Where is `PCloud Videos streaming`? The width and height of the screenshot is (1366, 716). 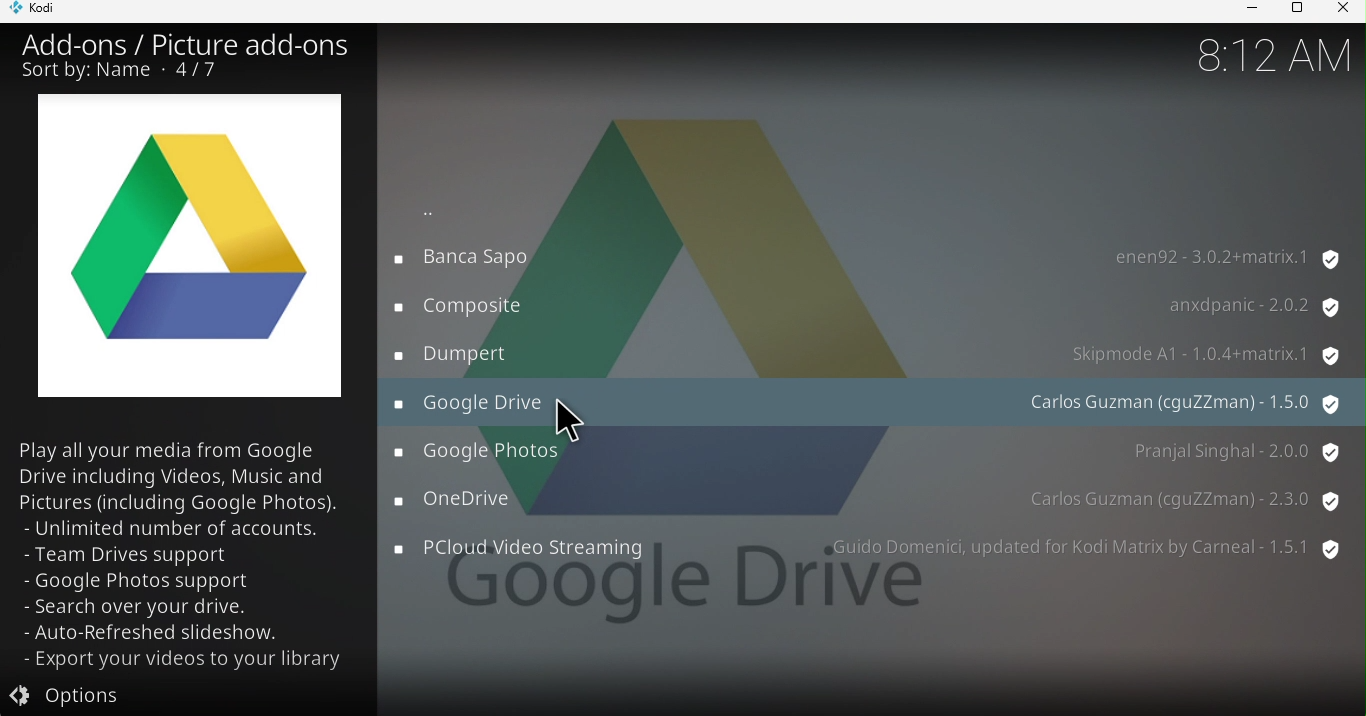
PCloud Videos streaming is located at coordinates (869, 553).